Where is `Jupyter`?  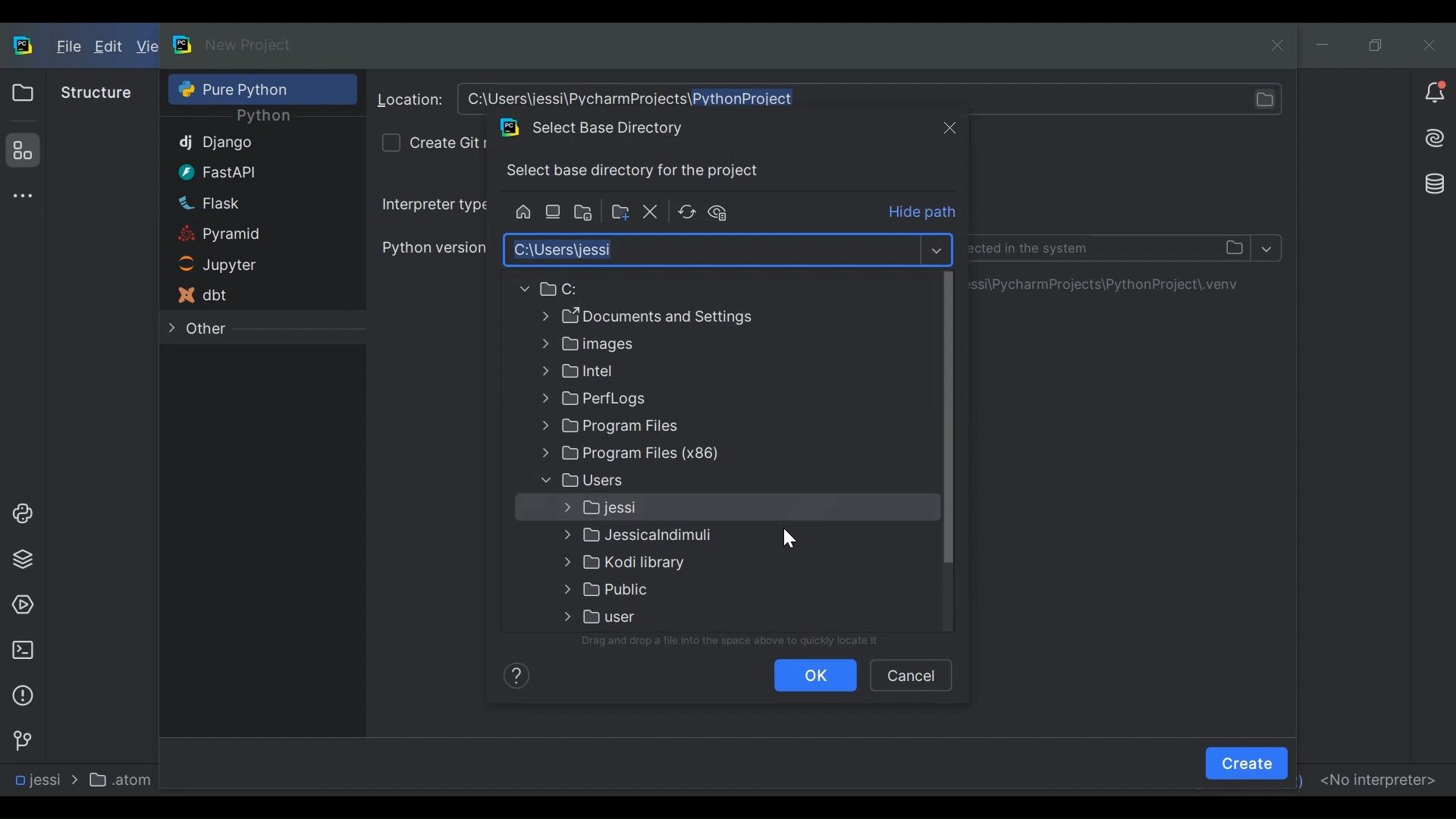 Jupyter is located at coordinates (240, 266).